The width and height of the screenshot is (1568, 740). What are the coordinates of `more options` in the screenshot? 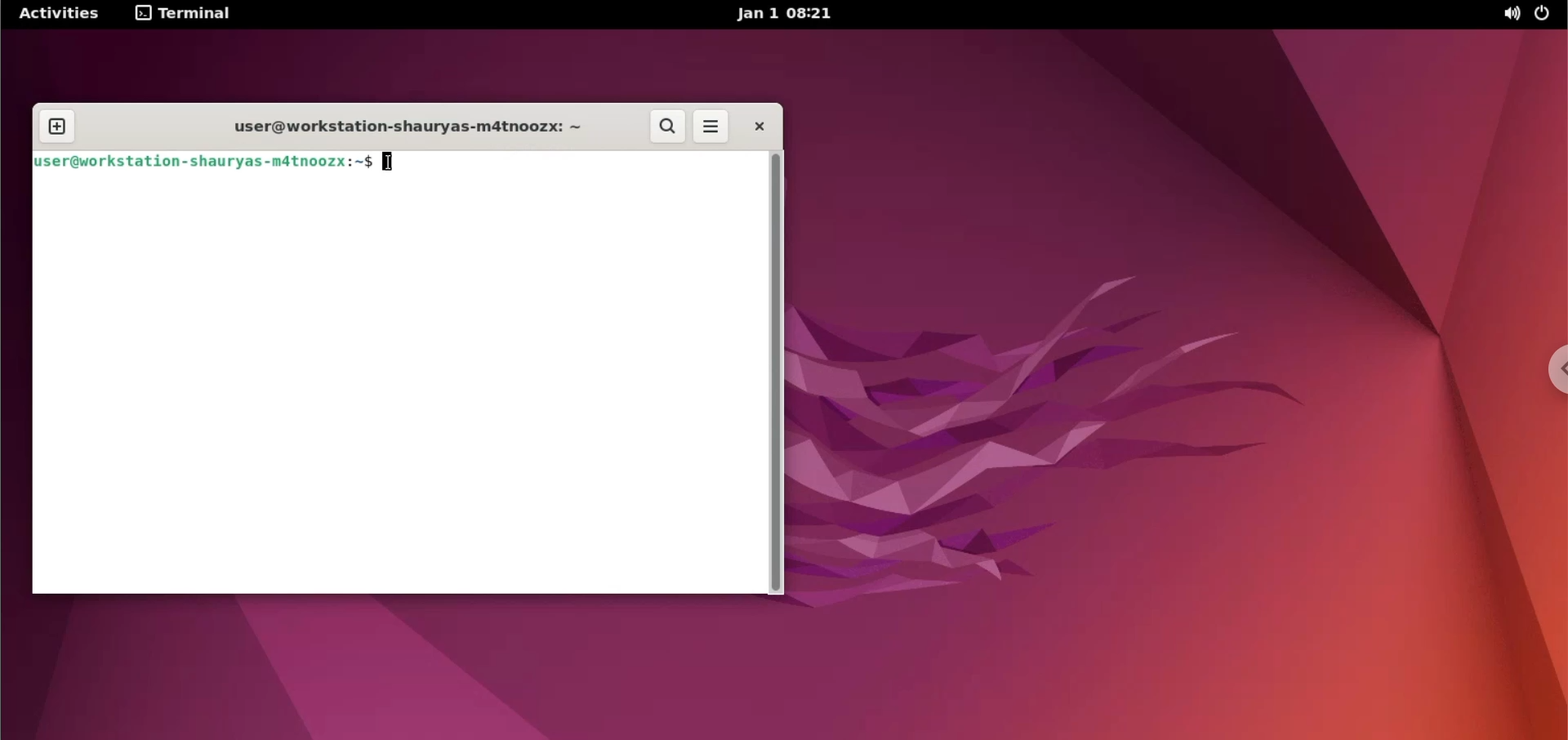 It's located at (712, 128).